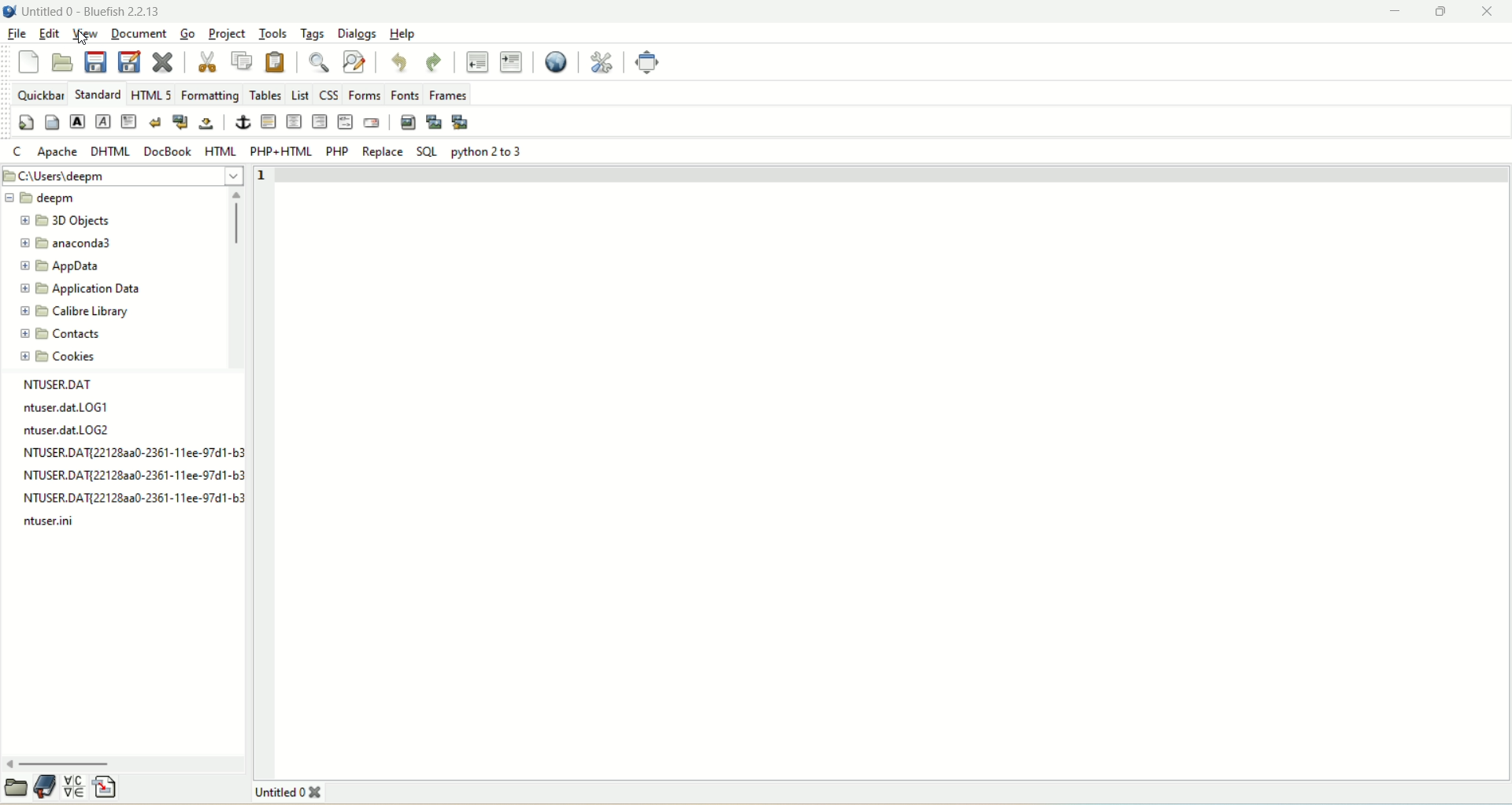 This screenshot has width=1512, height=805. Describe the element at coordinates (63, 359) in the screenshot. I see `cookies` at that location.